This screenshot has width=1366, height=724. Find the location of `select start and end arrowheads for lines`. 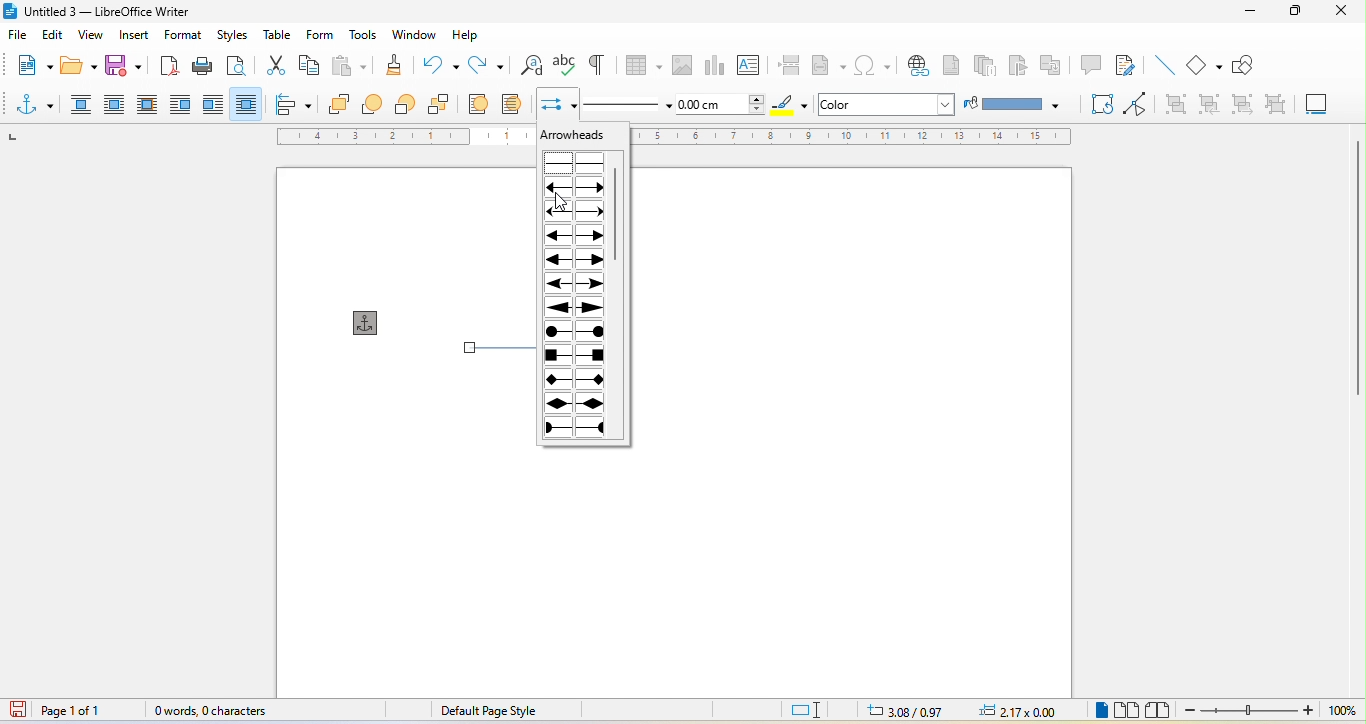

select start and end arrowheads for lines is located at coordinates (558, 102).